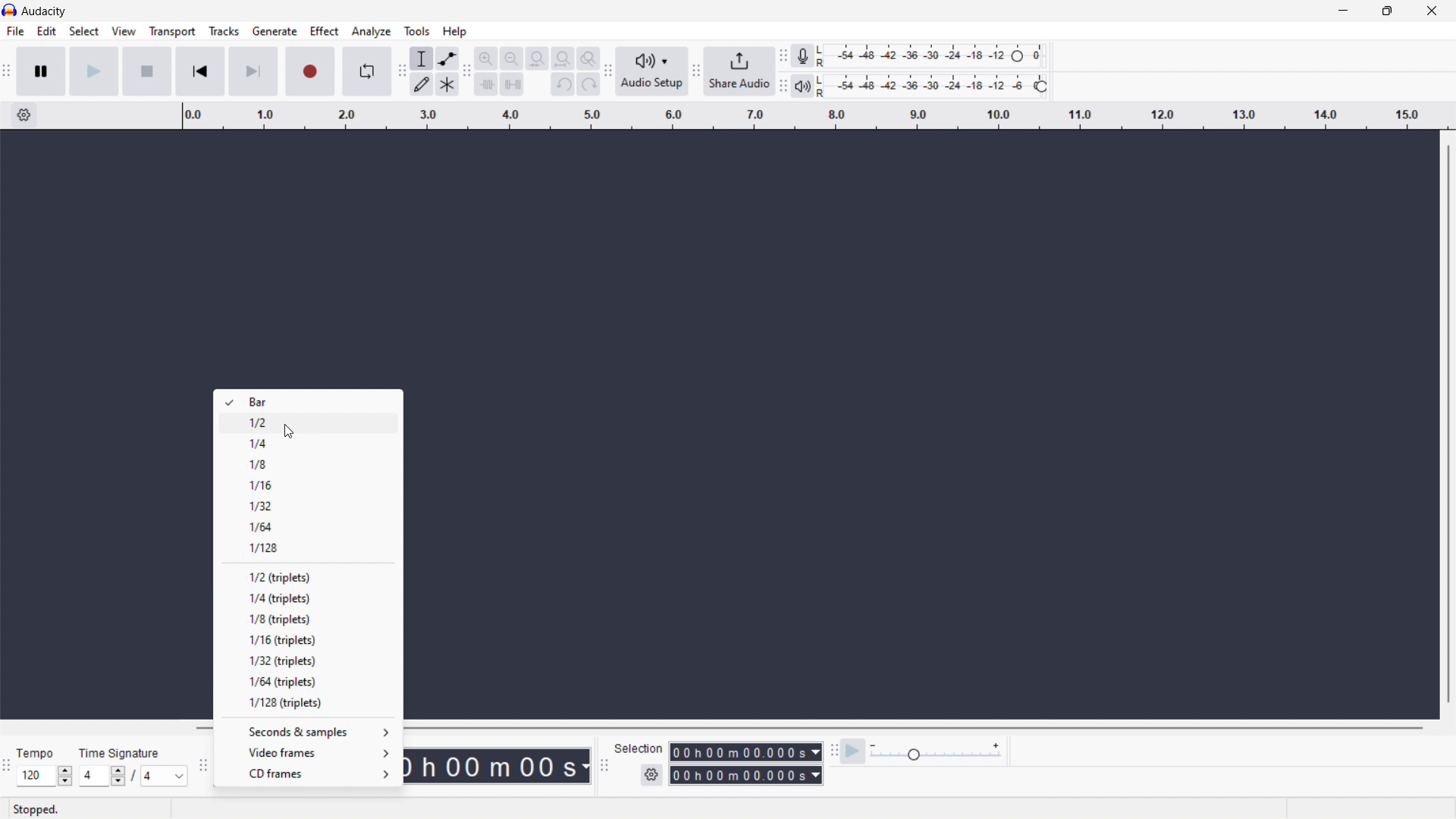  What do you see at coordinates (308, 526) in the screenshot?
I see `1/64` at bounding box center [308, 526].